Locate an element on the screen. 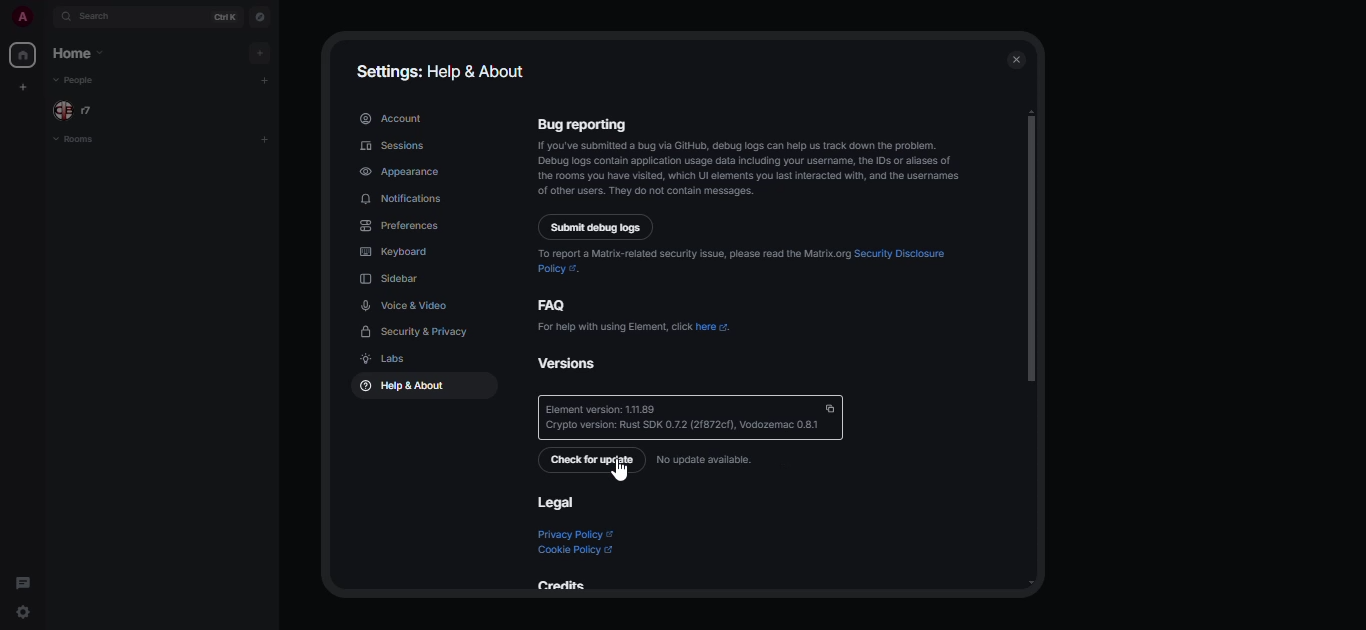 The height and width of the screenshot is (630, 1366). for help with using element, click here is located at coordinates (636, 326).